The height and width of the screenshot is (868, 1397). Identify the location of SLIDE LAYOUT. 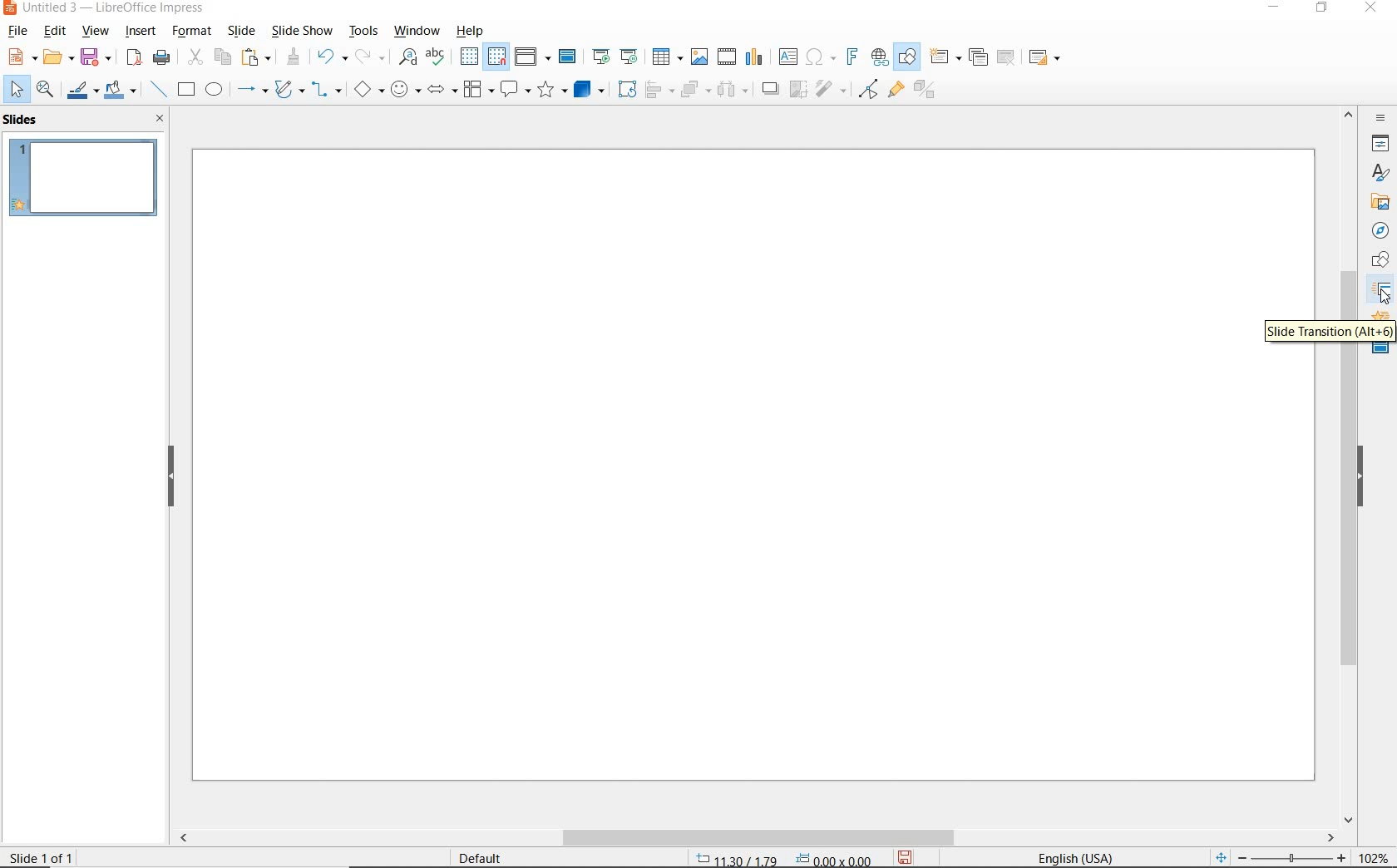
(1042, 57).